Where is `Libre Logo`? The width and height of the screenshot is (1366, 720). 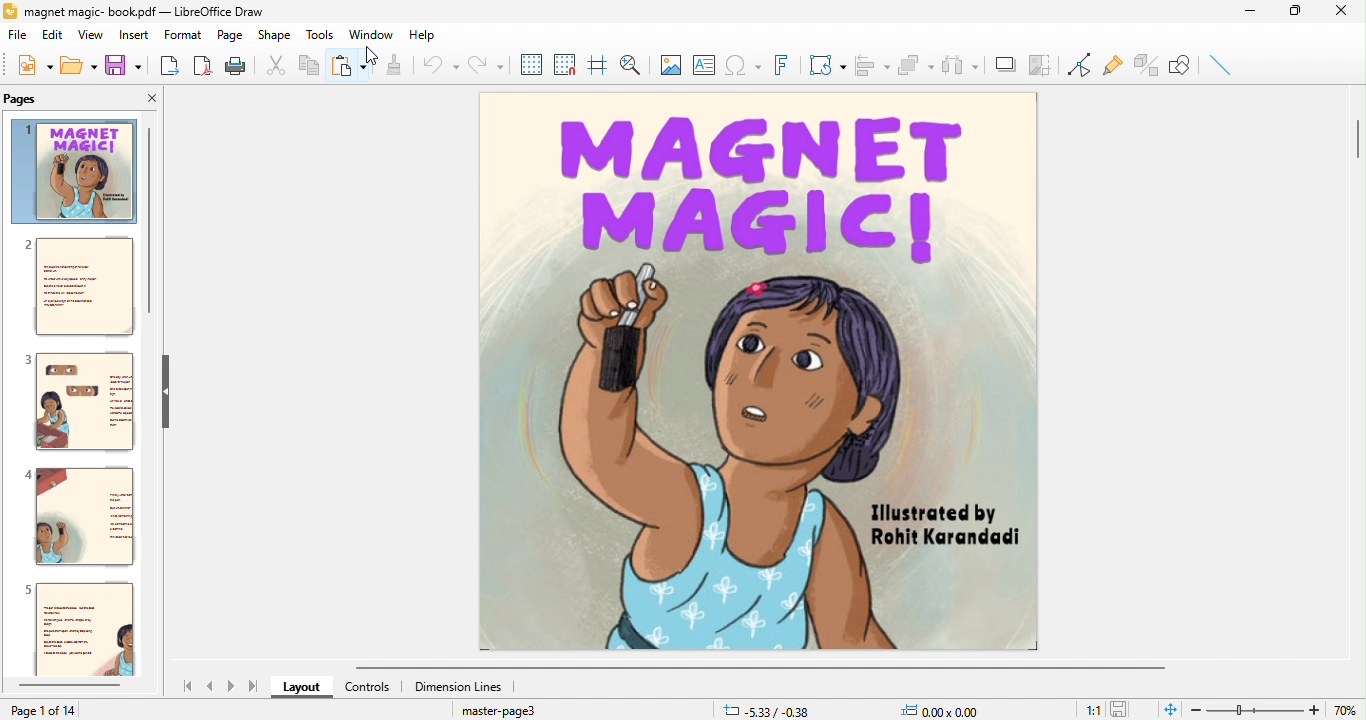 Libre Logo is located at coordinates (10, 12).